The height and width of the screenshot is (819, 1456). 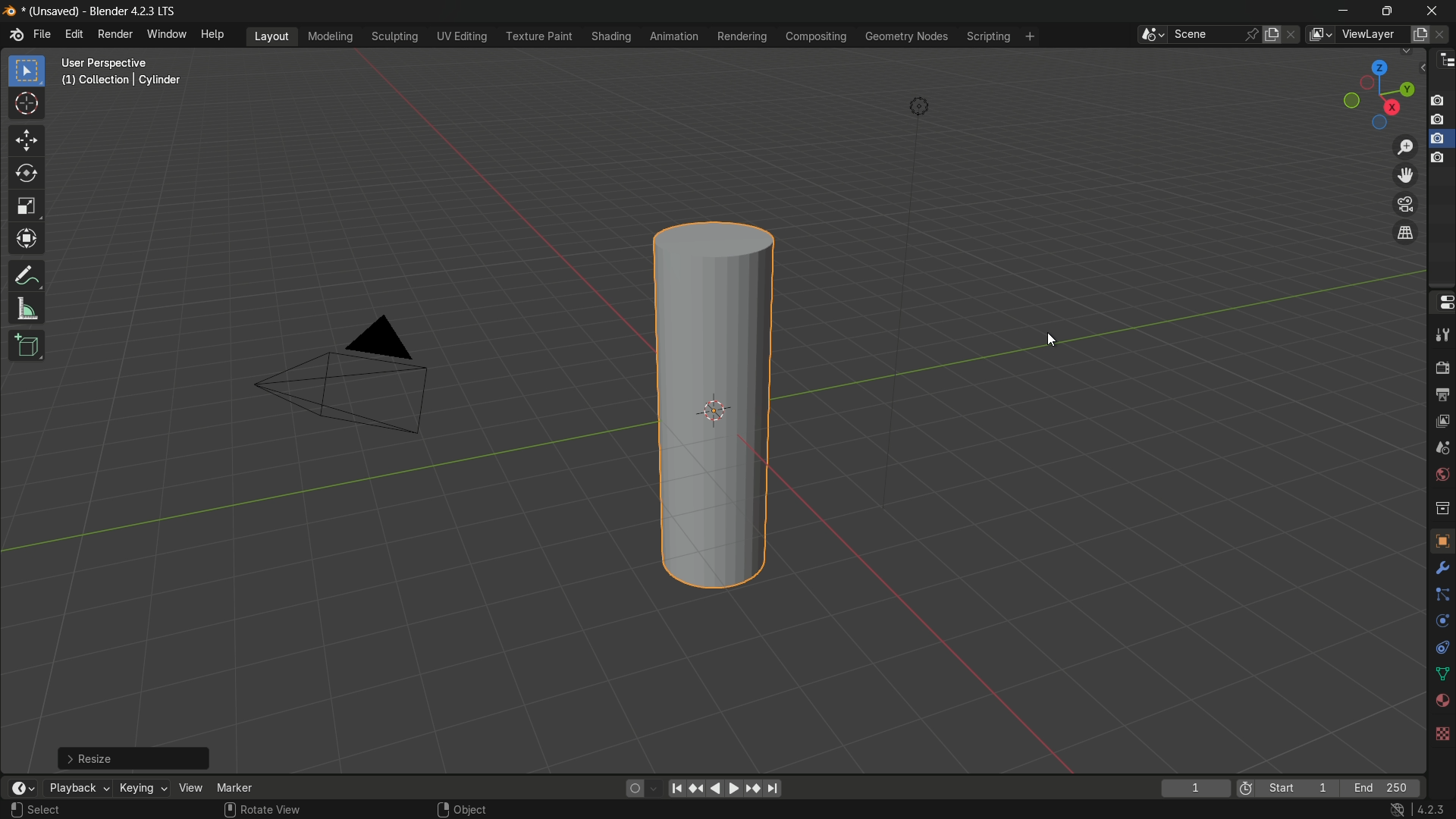 I want to click on particles, so click(x=1439, y=595).